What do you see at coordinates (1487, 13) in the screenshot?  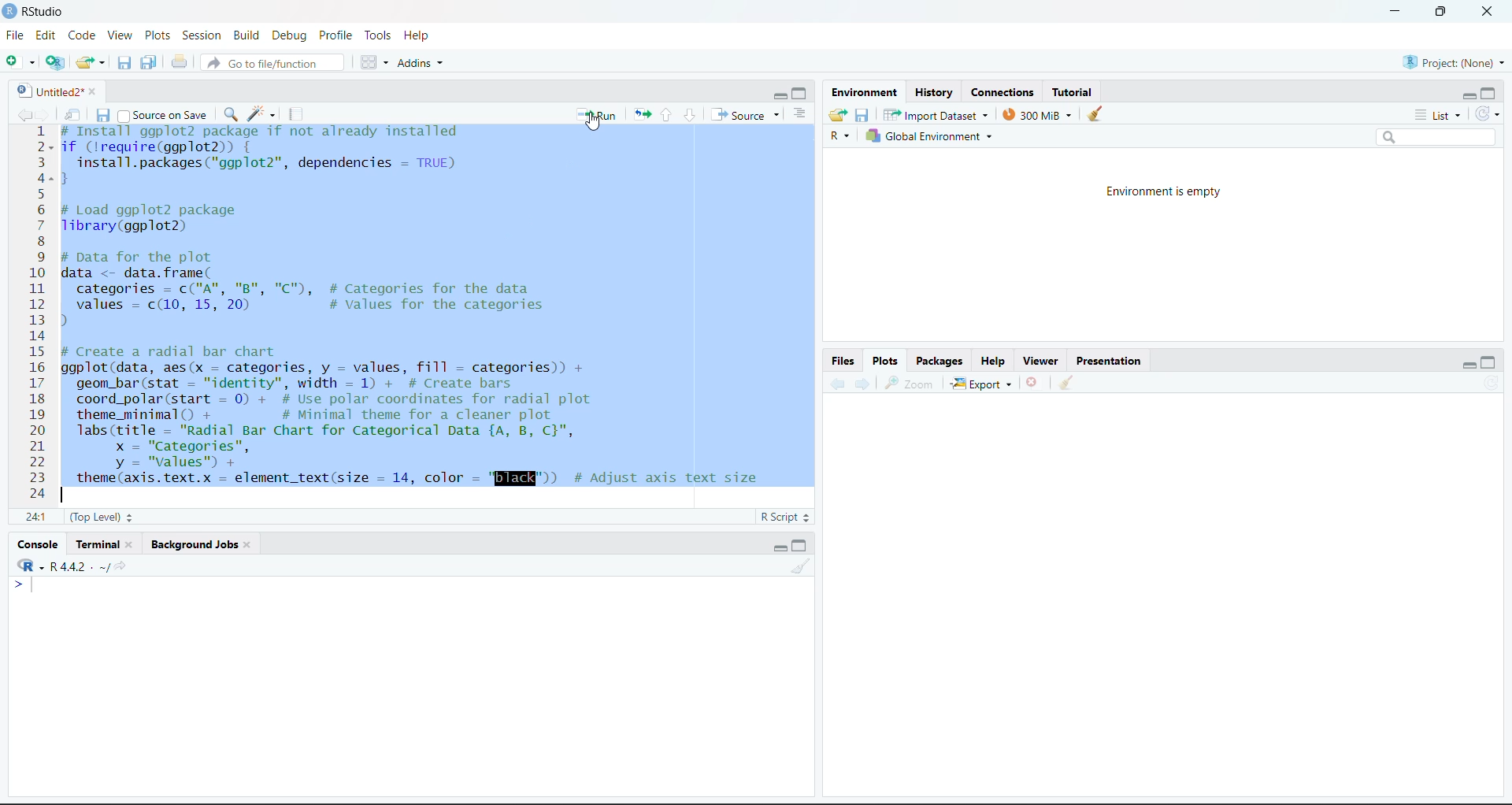 I see `close` at bounding box center [1487, 13].